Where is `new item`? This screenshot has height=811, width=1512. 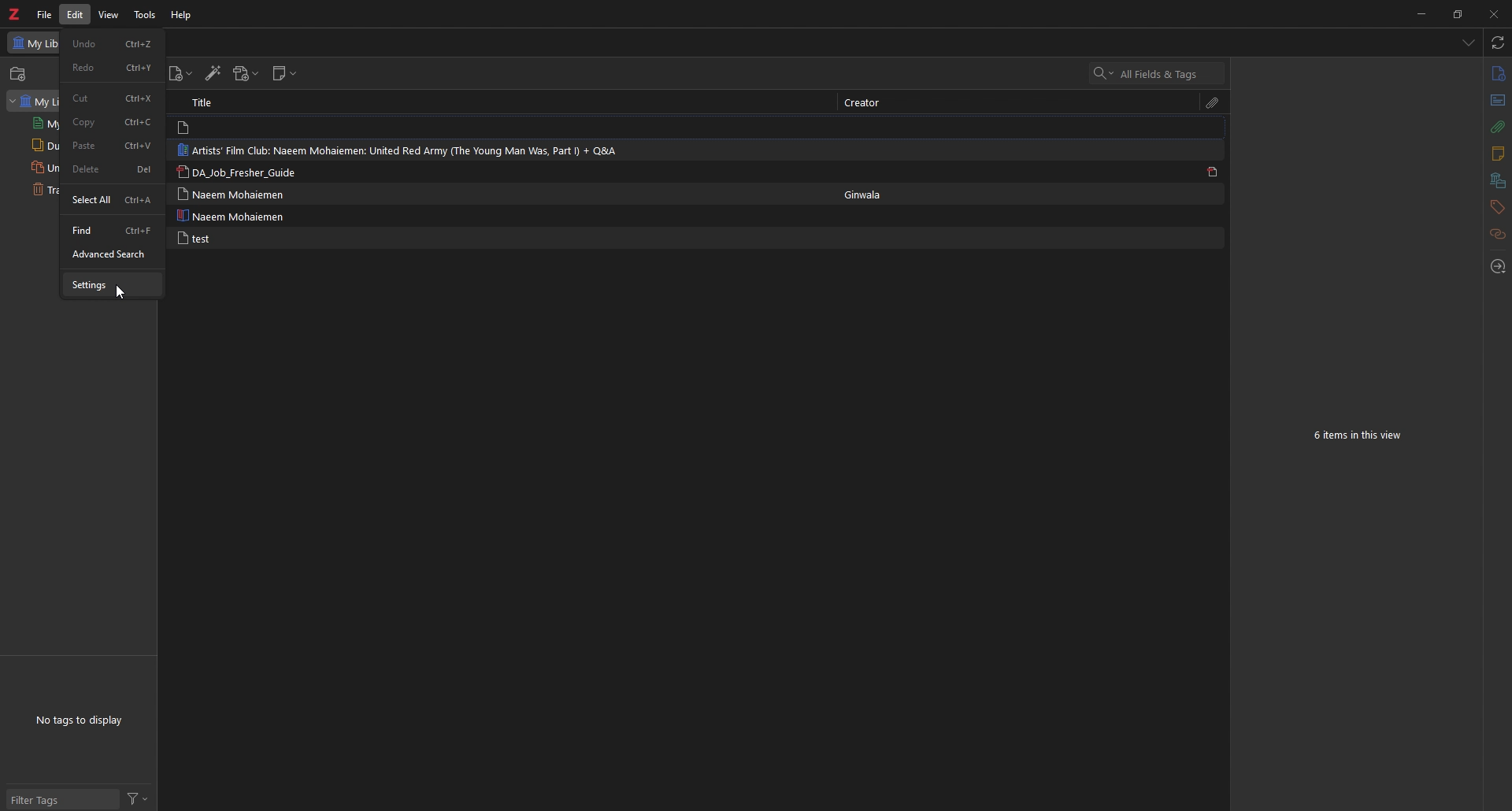 new item is located at coordinates (181, 74).